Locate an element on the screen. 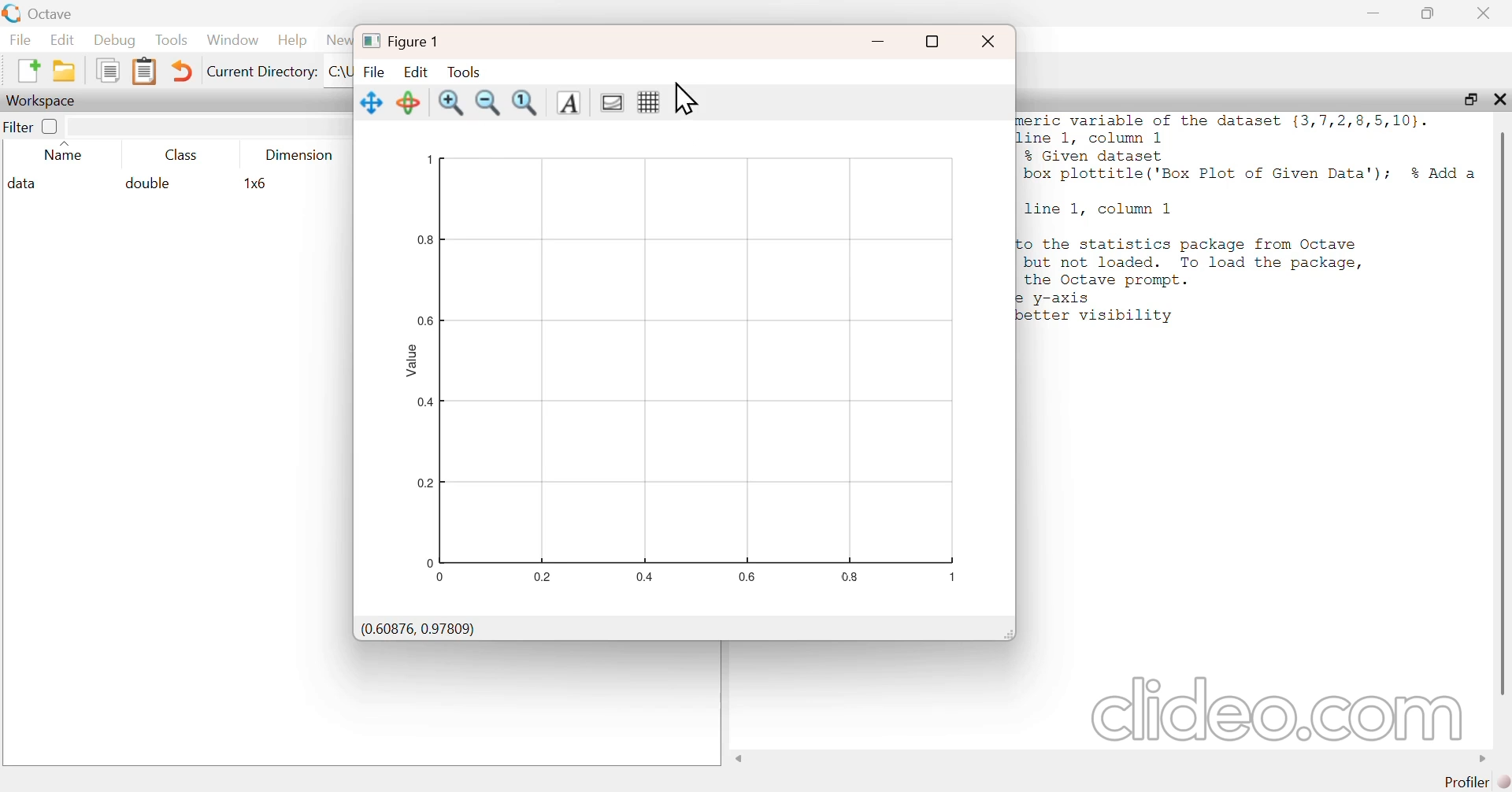 This screenshot has height=792, width=1512. data is located at coordinates (28, 183).